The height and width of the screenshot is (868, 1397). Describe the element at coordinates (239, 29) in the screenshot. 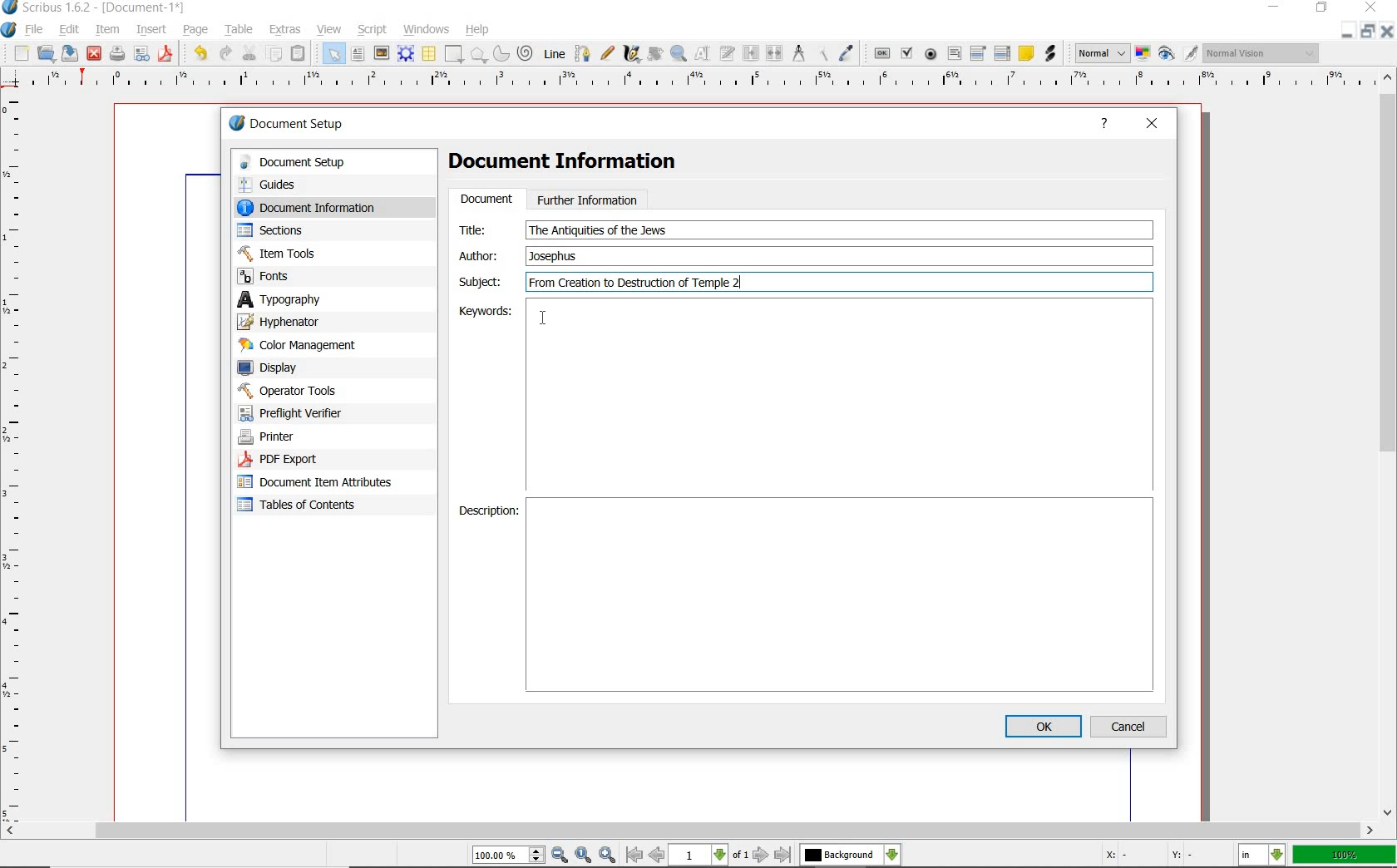

I see `table` at that location.